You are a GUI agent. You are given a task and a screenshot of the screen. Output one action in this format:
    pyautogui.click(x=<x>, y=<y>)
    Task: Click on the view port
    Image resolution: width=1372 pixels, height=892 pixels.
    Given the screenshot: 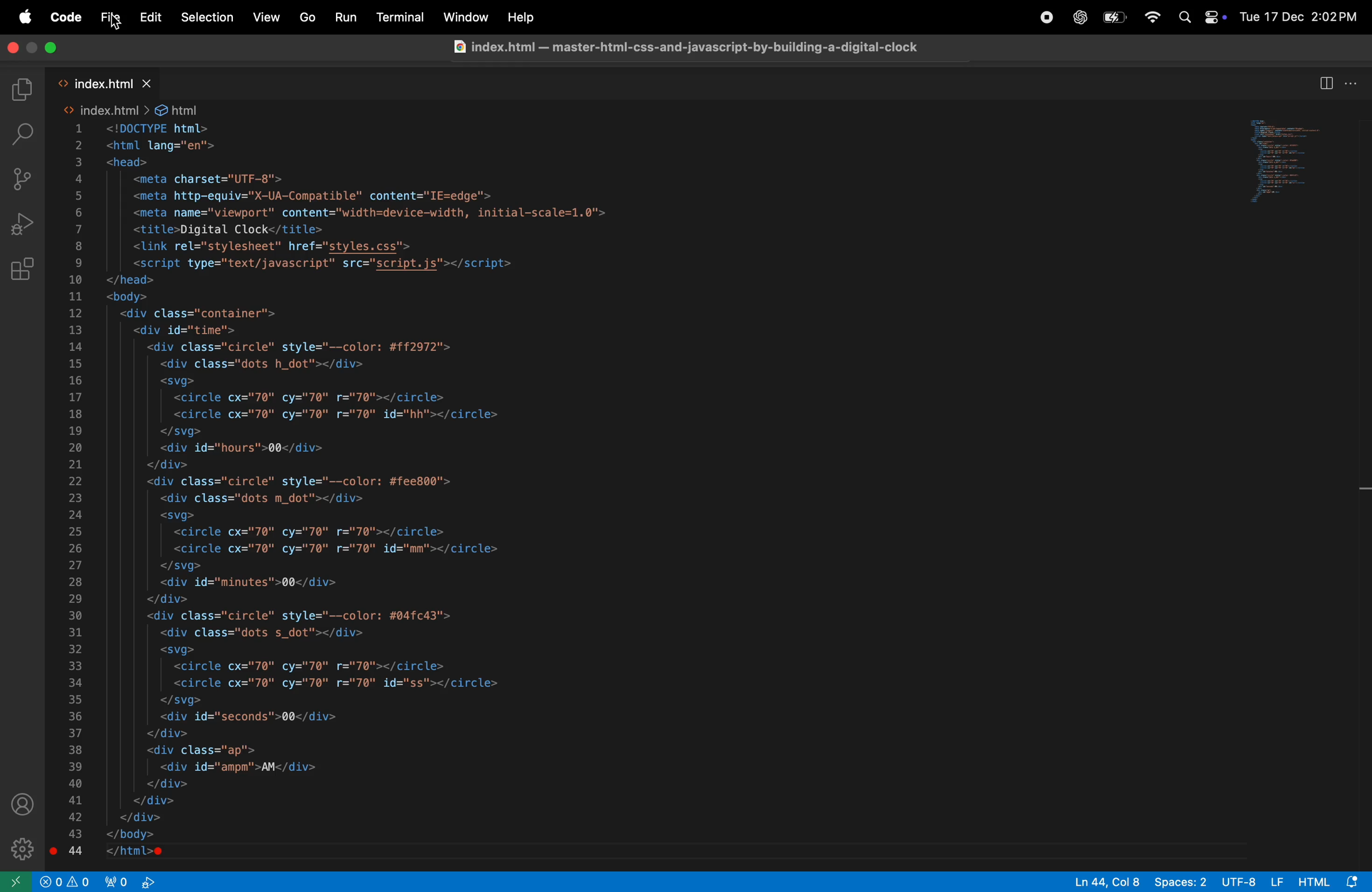 What is the action you would take?
    pyautogui.click(x=148, y=880)
    